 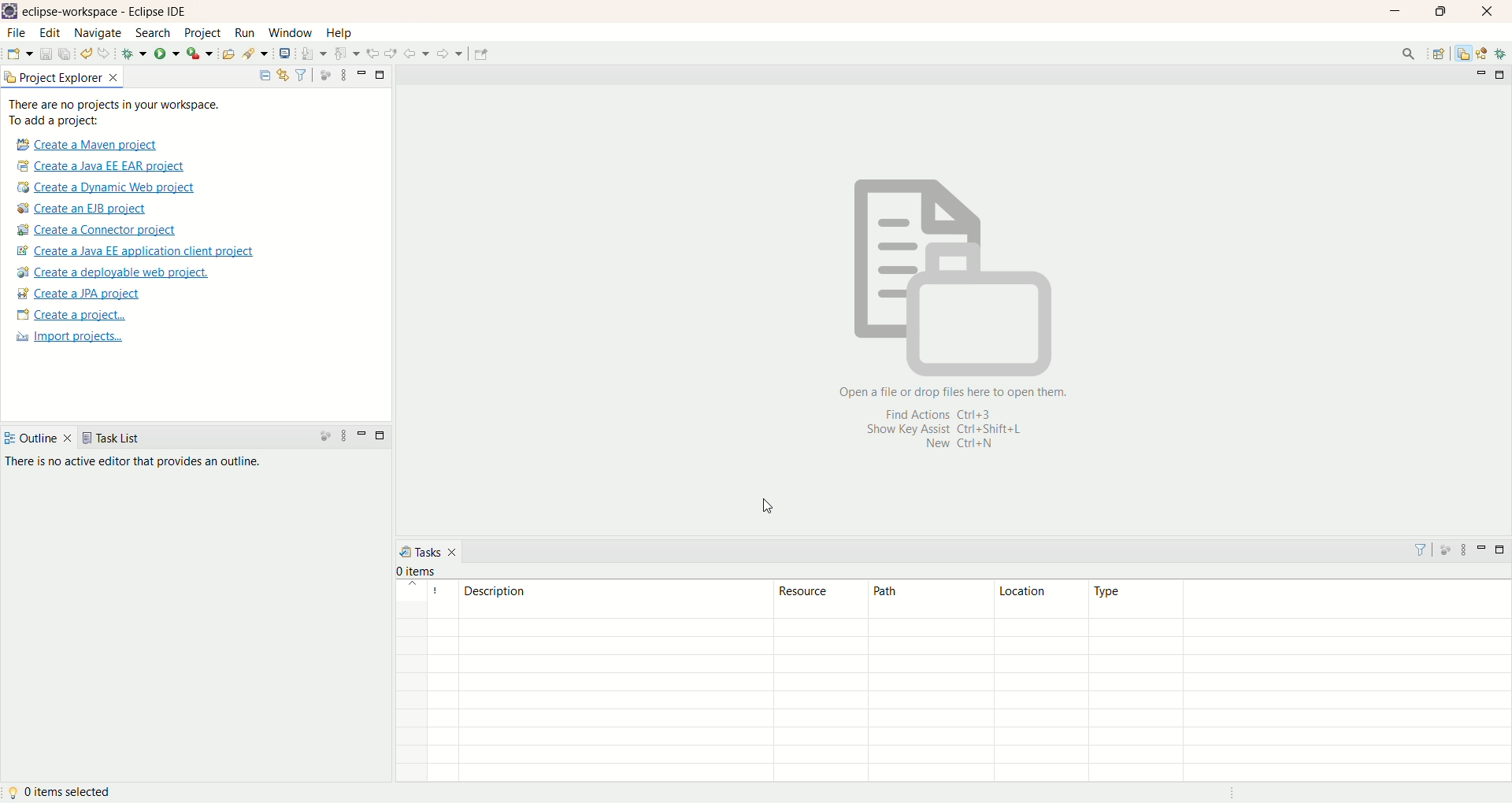 I want to click on view menu, so click(x=1467, y=552).